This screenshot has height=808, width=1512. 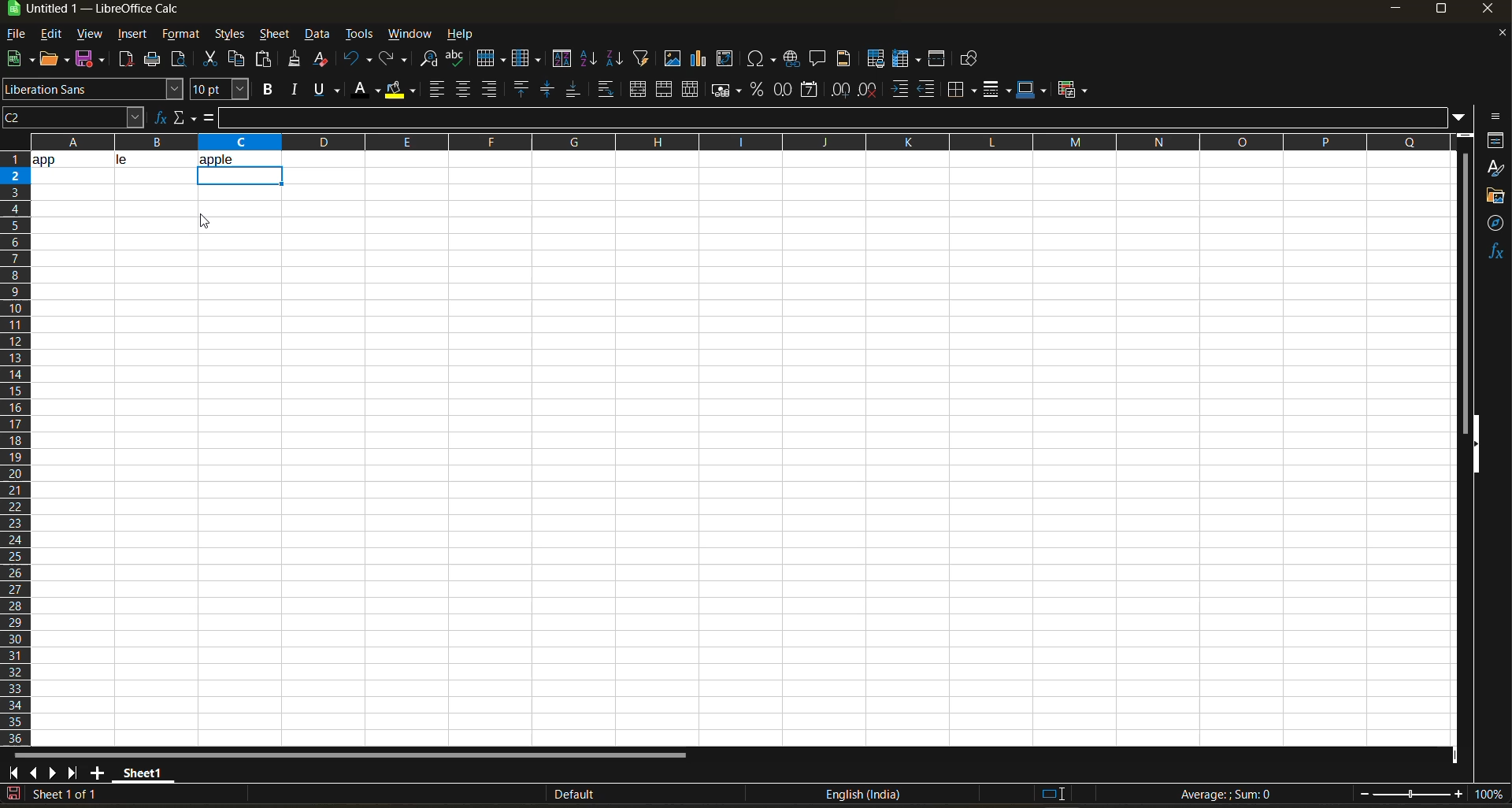 What do you see at coordinates (369, 88) in the screenshot?
I see `font color` at bounding box center [369, 88].